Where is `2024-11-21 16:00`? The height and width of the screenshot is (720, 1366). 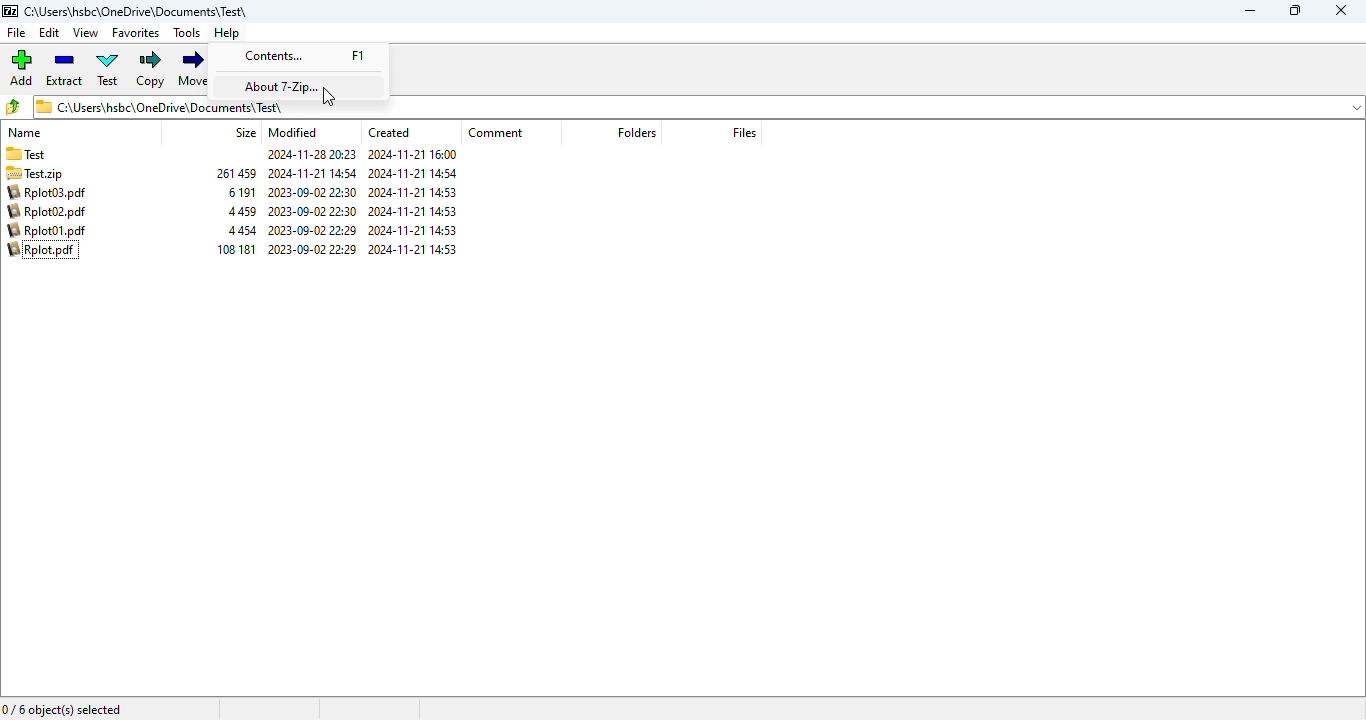
2024-11-21 16:00 is located at coordinates (416, 154).